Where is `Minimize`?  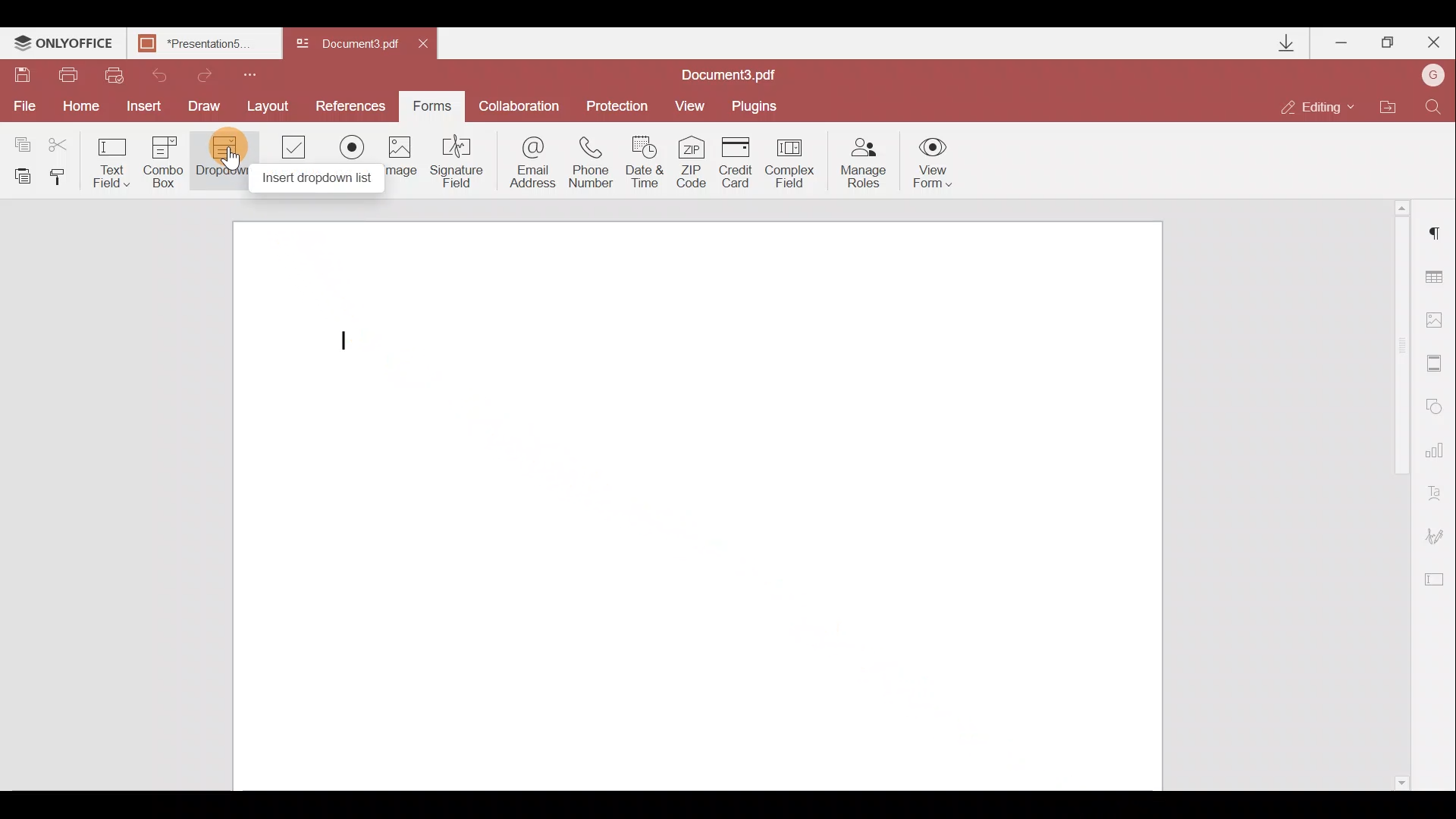 Minimize is located at coordinates (1343, 39).